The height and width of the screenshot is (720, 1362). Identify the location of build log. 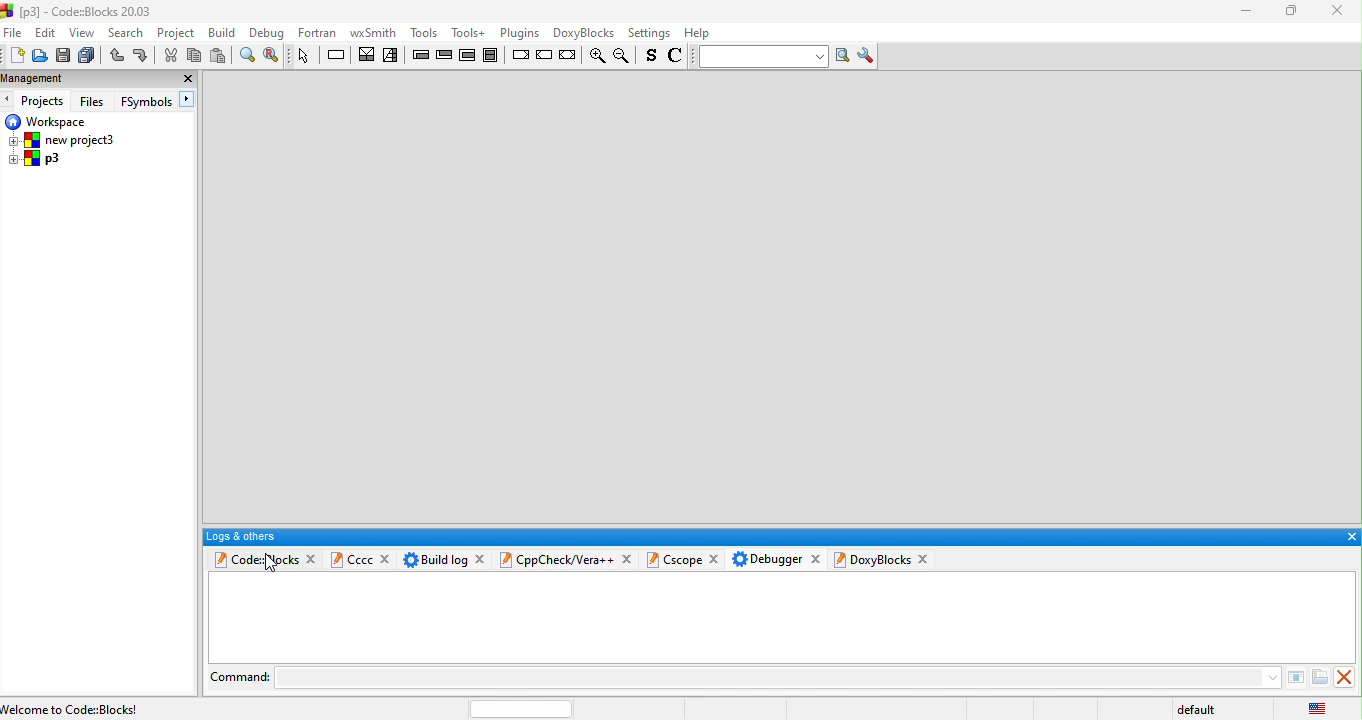
(433, 558).